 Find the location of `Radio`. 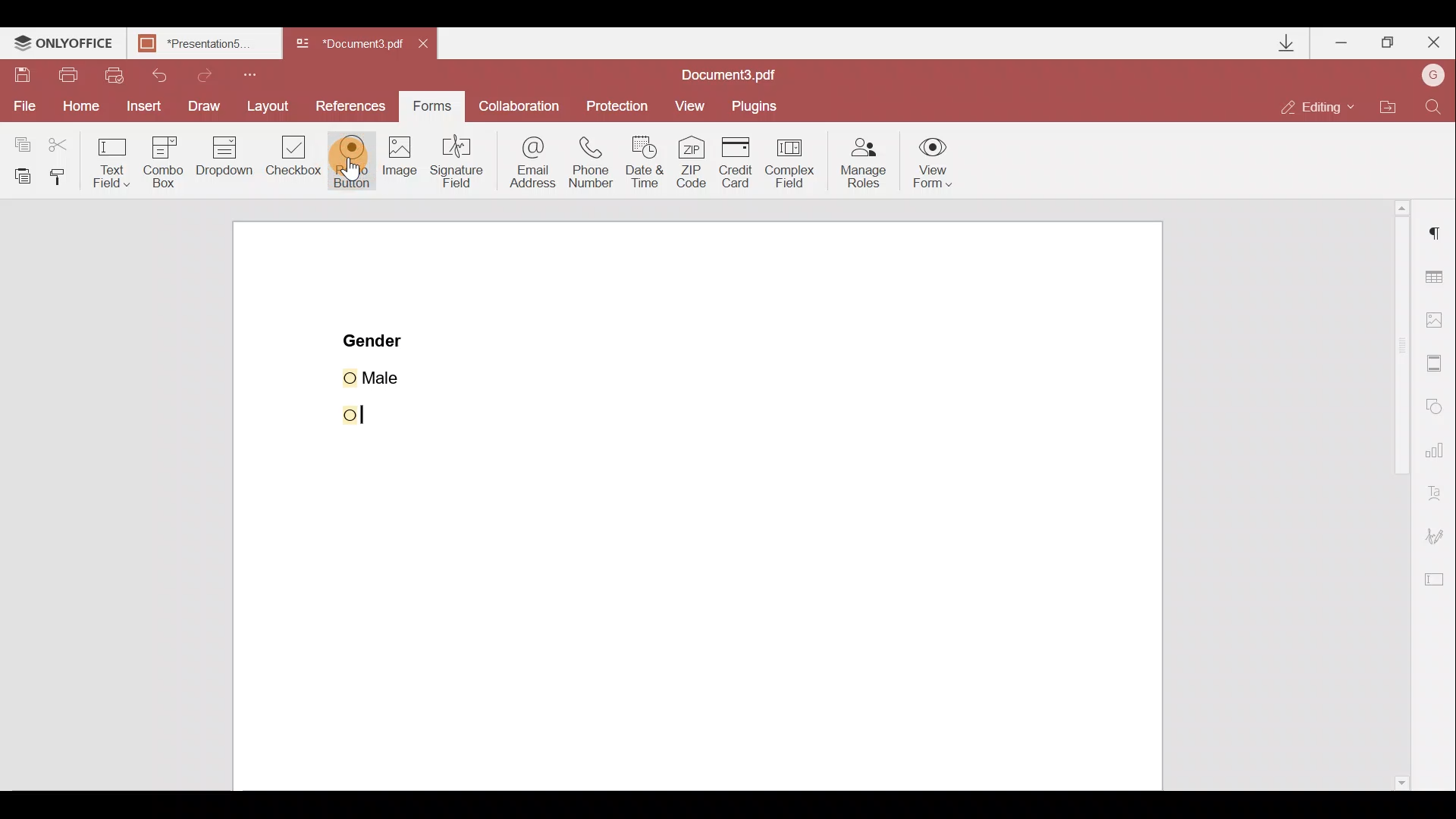

Radio is located at coordinates (352, 162).